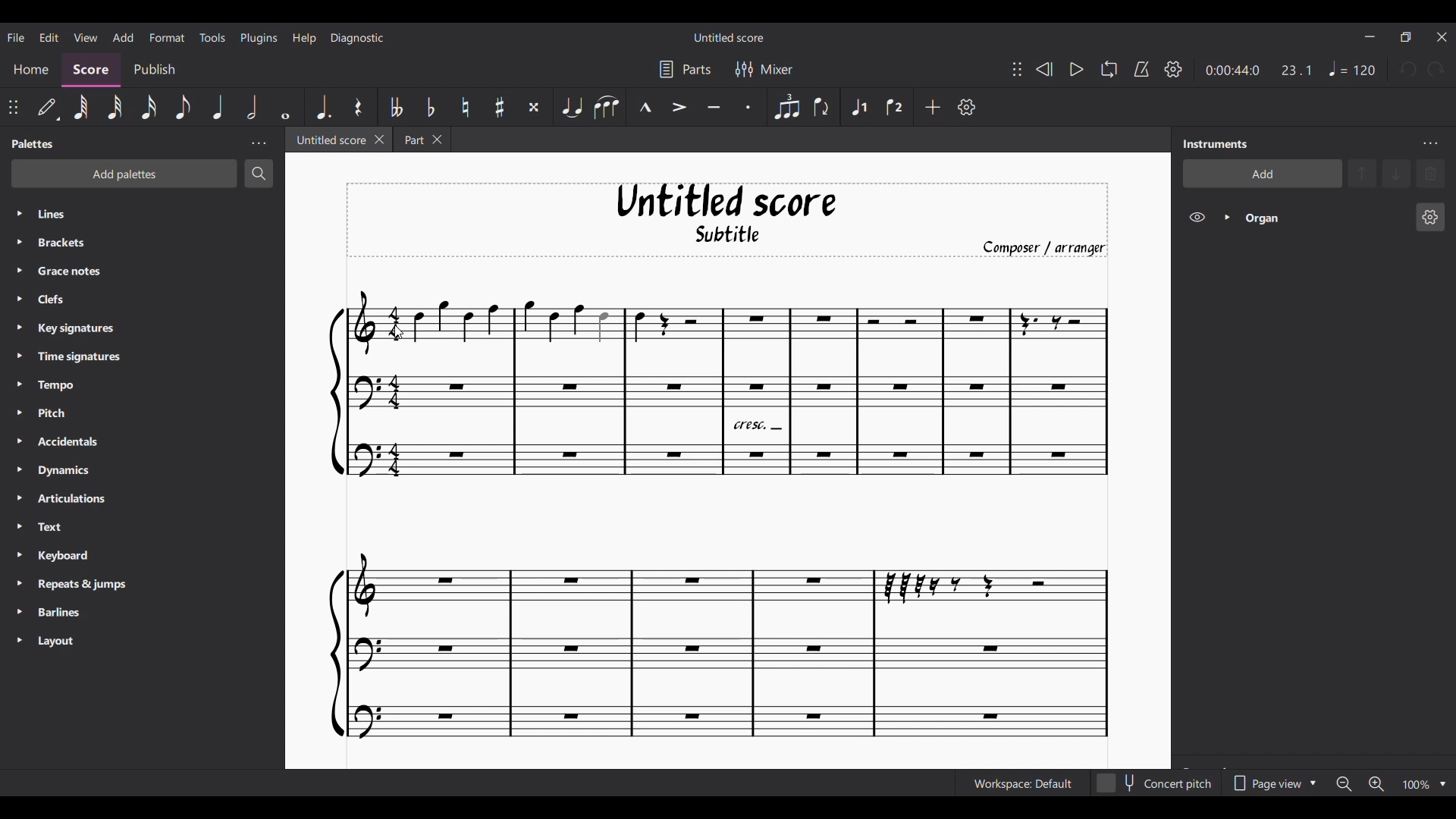 Image resolution: width=1456 pixels, height=819 pixels. Describe the element at coordinates (1076, 69) in the screenshot. I see `Play` at that location.